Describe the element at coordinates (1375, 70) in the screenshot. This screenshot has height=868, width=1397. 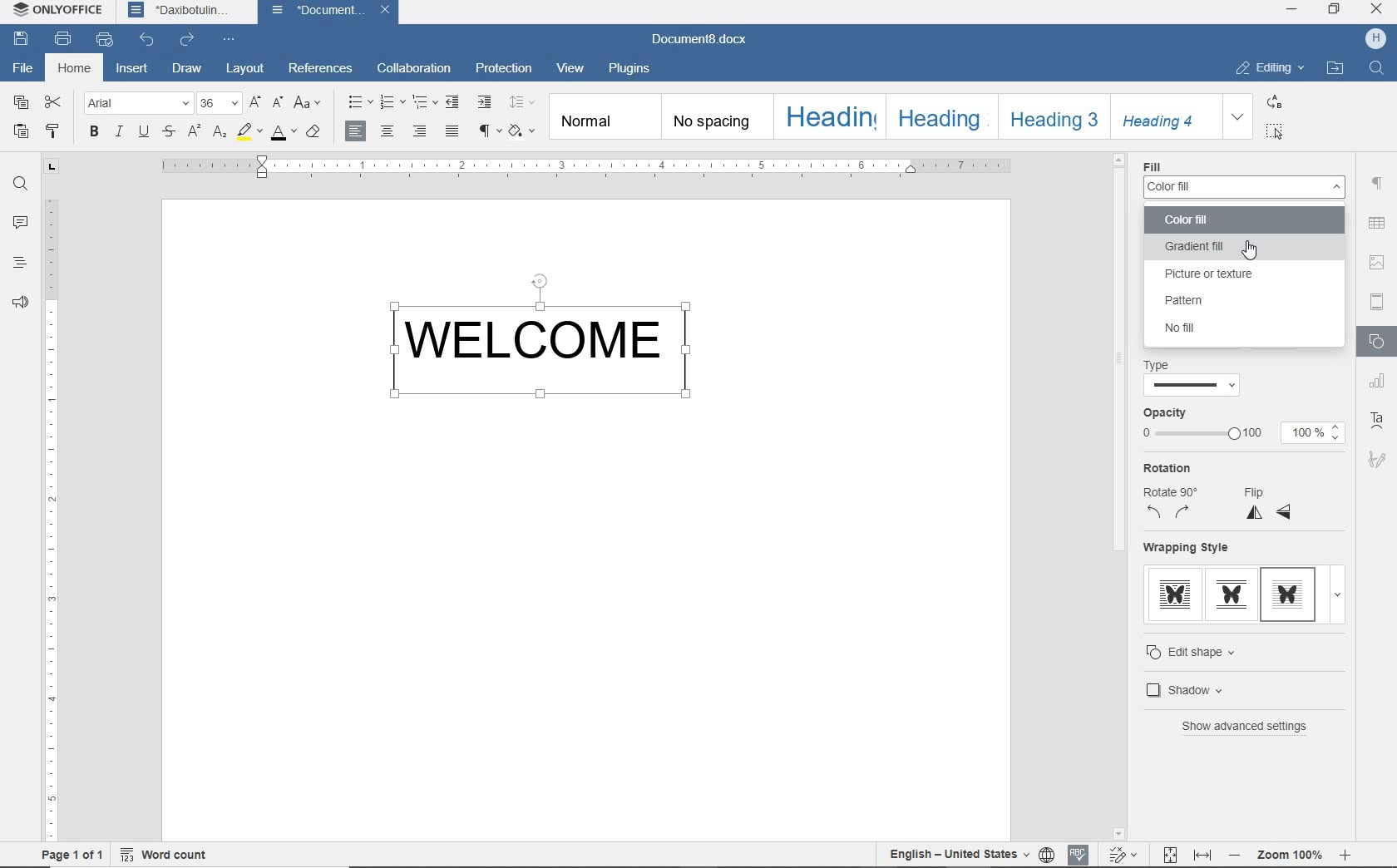
I see `FIND` at that location.